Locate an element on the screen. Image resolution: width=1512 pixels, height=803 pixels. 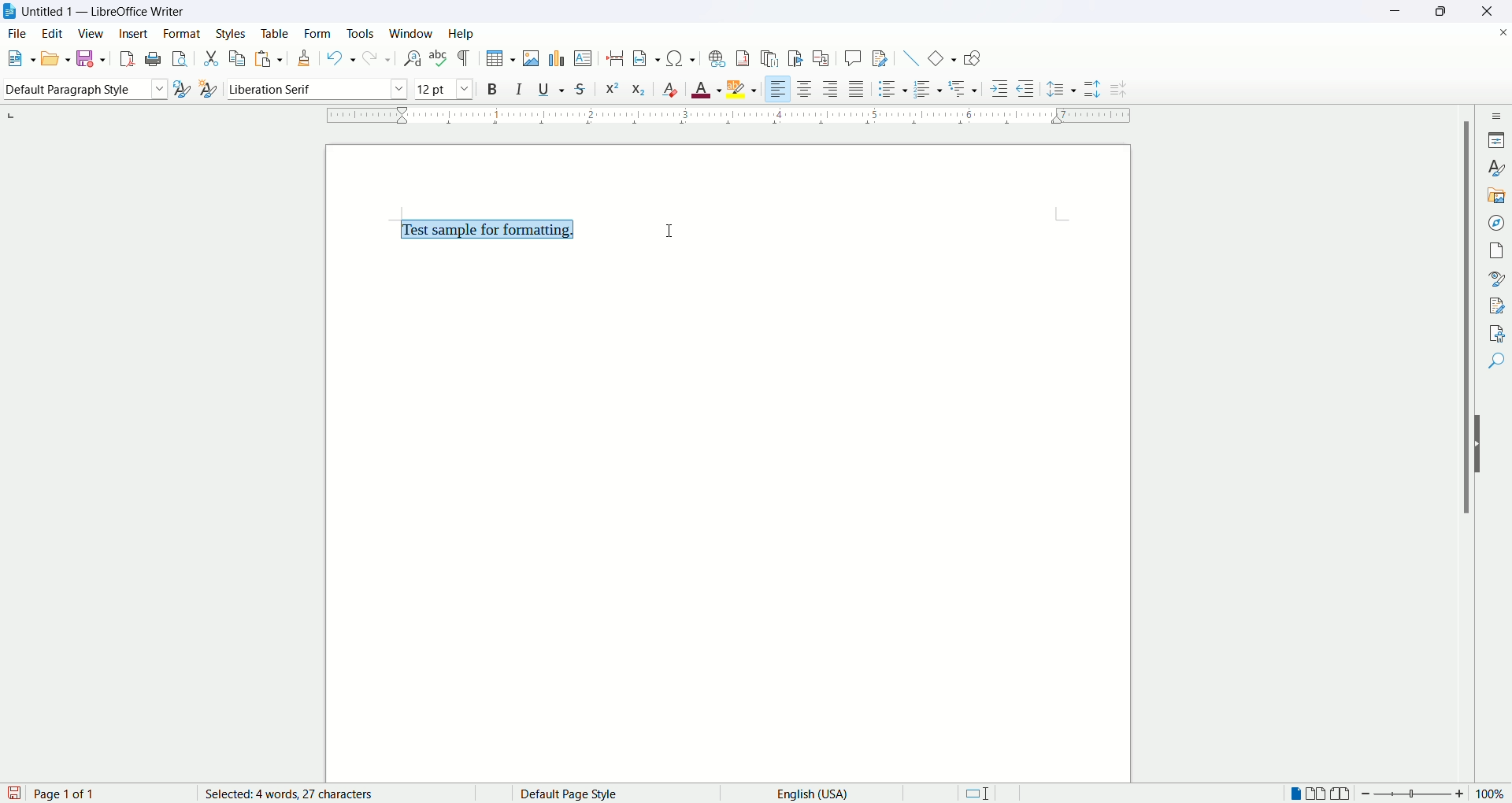
manage changes is located at coordinates (1496, 305).